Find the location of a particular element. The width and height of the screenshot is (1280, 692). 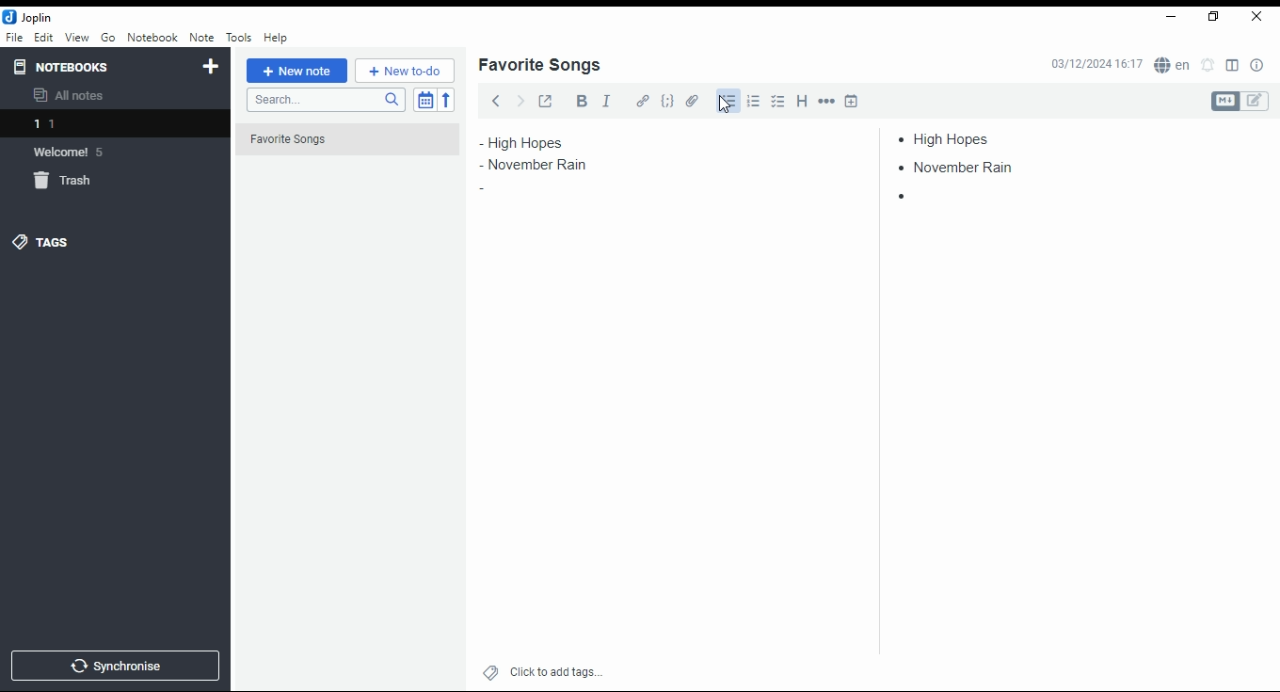

icon is located at coordinates (30, 17).